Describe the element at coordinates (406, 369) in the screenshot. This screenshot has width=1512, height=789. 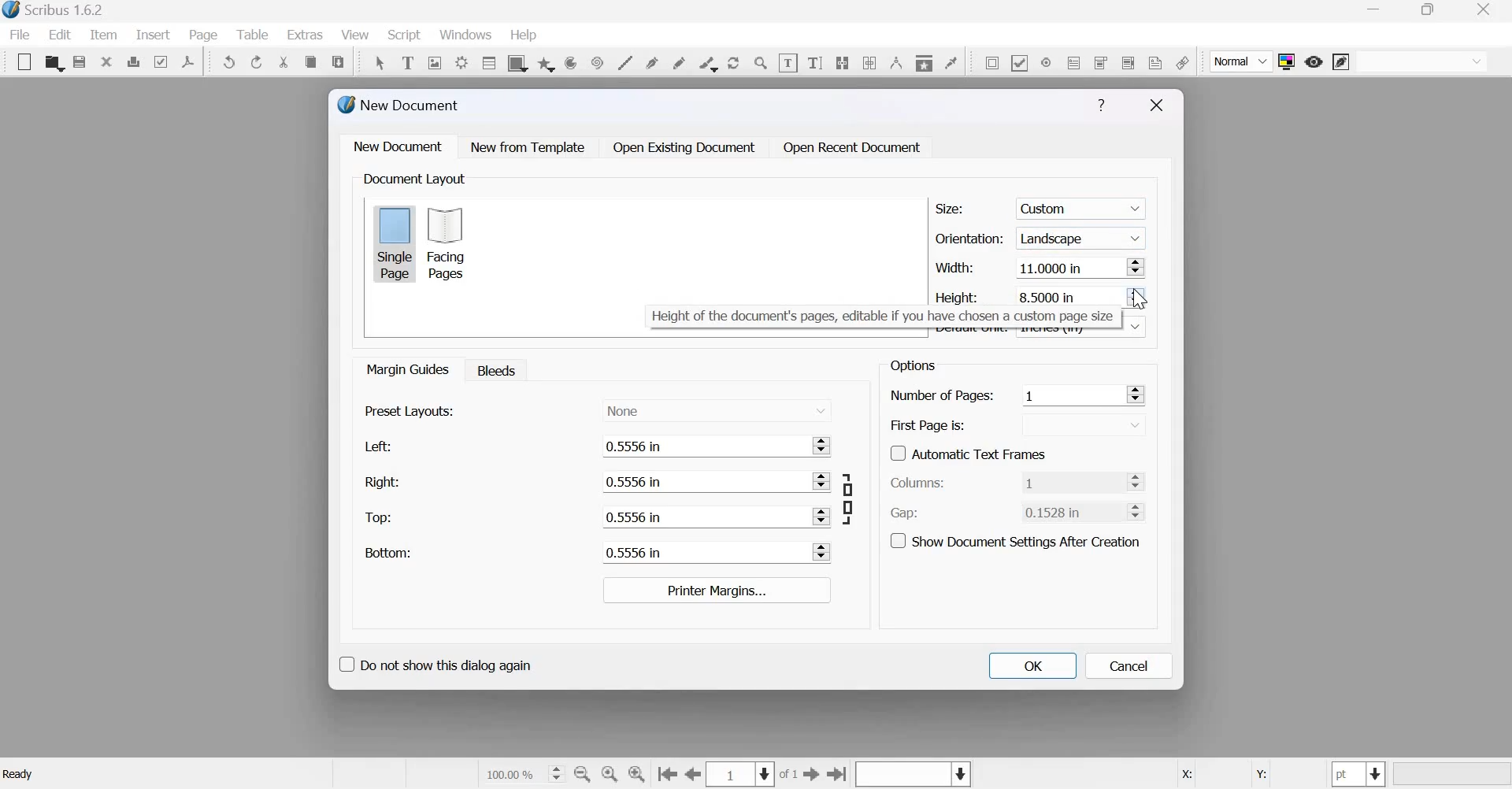
I see `Margin guides` at that location.